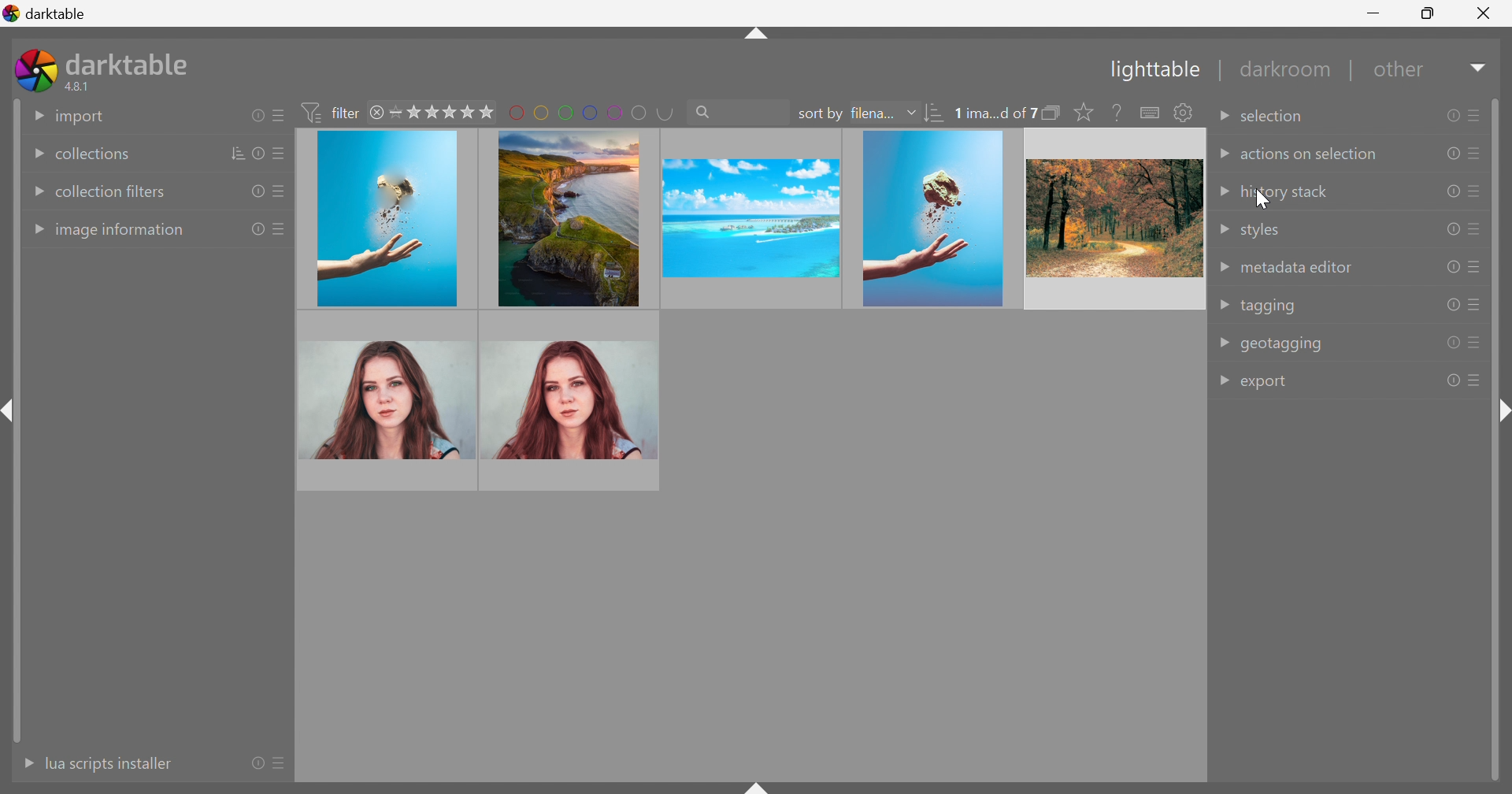 This screenshot has width=1512, height=794. What do you see at coordinates (1481, 304) in the screenshot?
I see `presets` at bounding box center [1481, 304].